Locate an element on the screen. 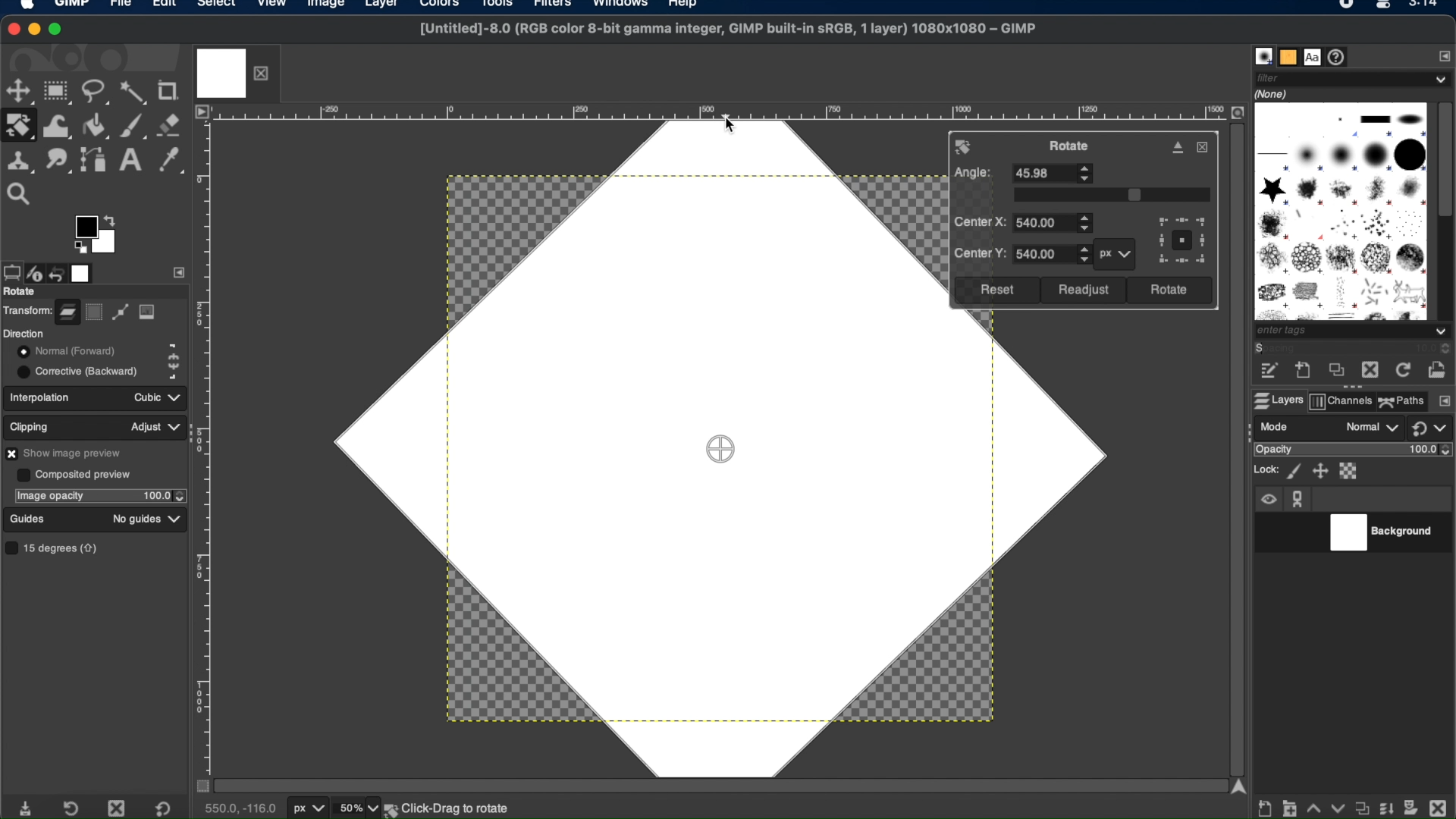 Image resolution: width=1456 pixels, height=819 pixels. fuzzy select tool is located at coordinates (134, 93).